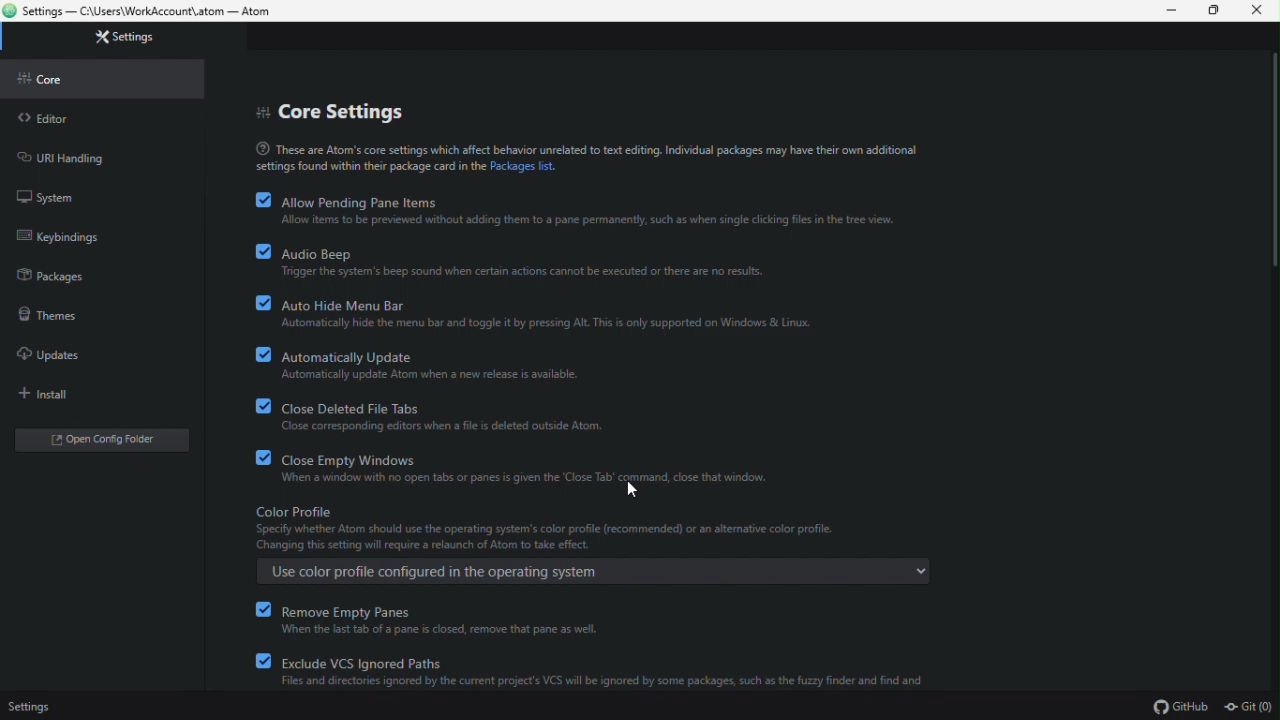 This screenshot has width=1280, height=720. Describe the element at coordinates (69, 156) in the screenshot. I see `URL handling` at that location.